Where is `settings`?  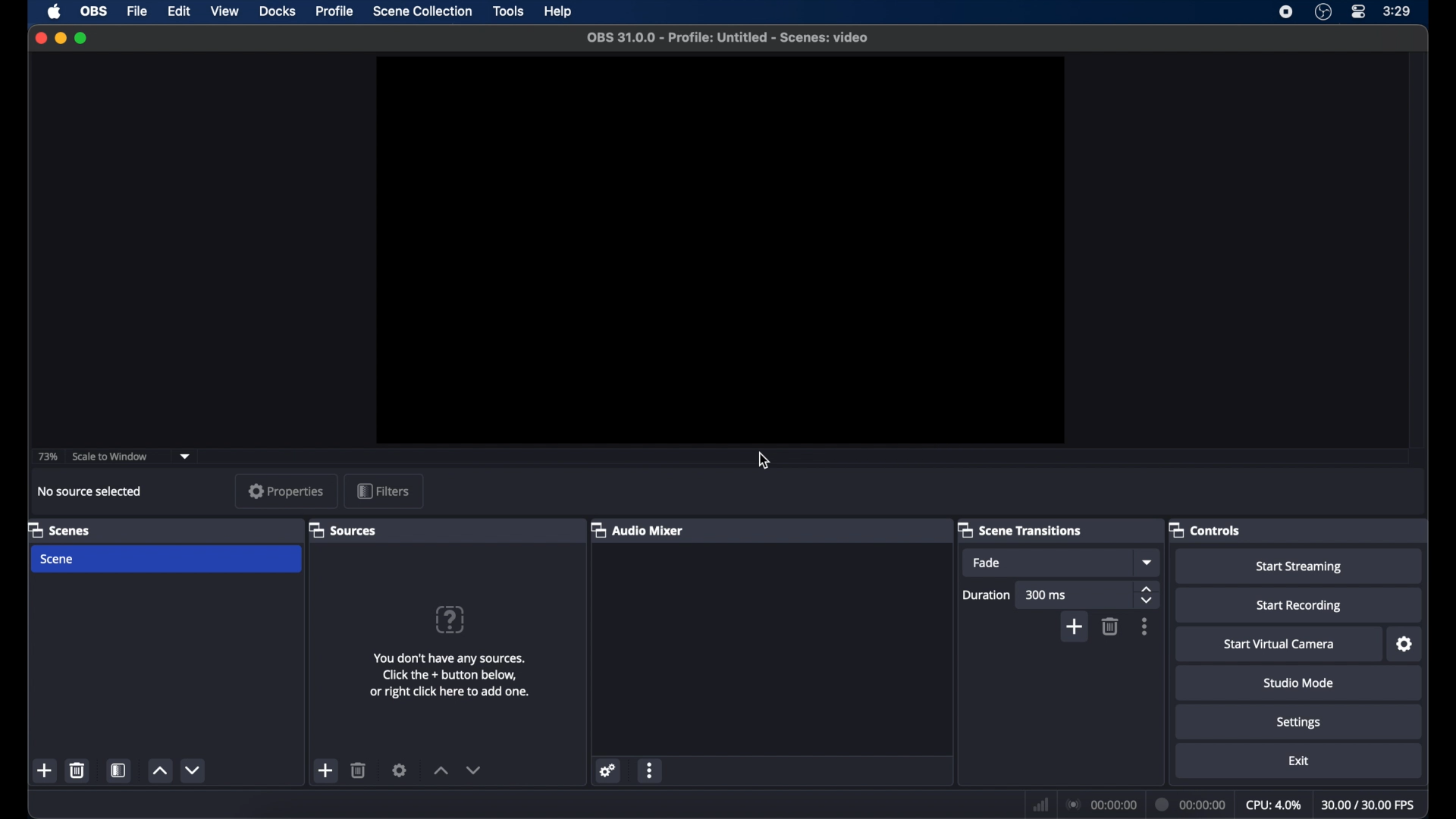
settings is located at coordinates (1405, 644).